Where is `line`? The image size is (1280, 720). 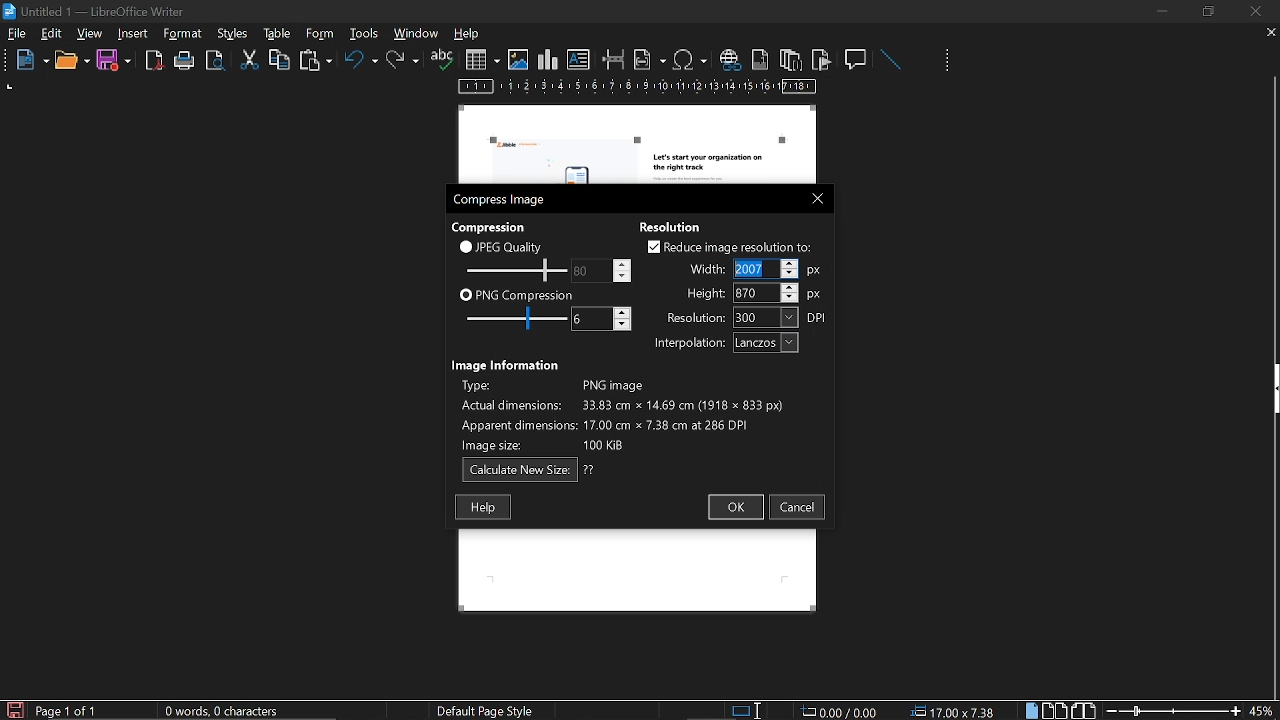
line is located at coordinates (890, 60).